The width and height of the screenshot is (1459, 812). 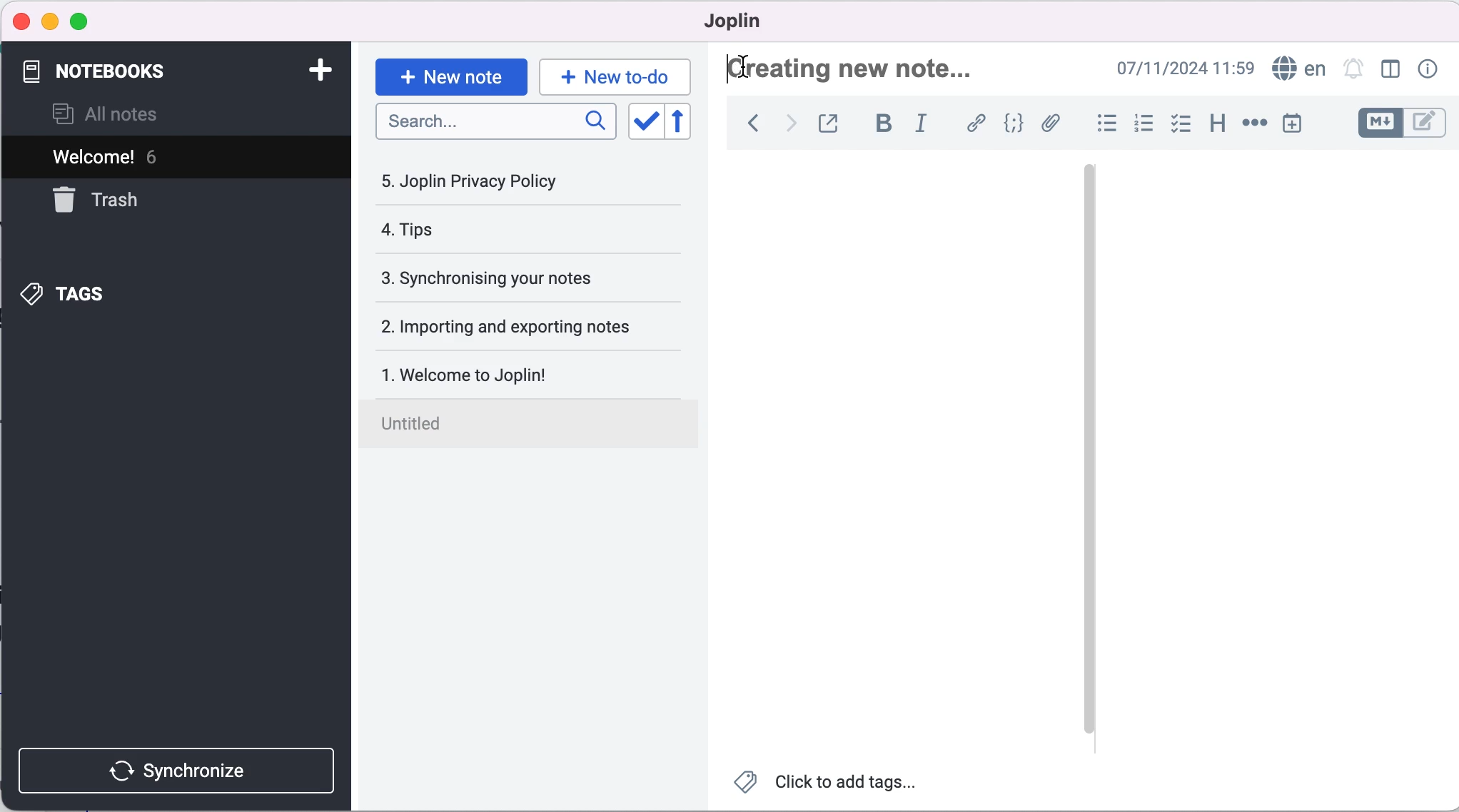 I want to click on bold, so click(x=884, y=124).